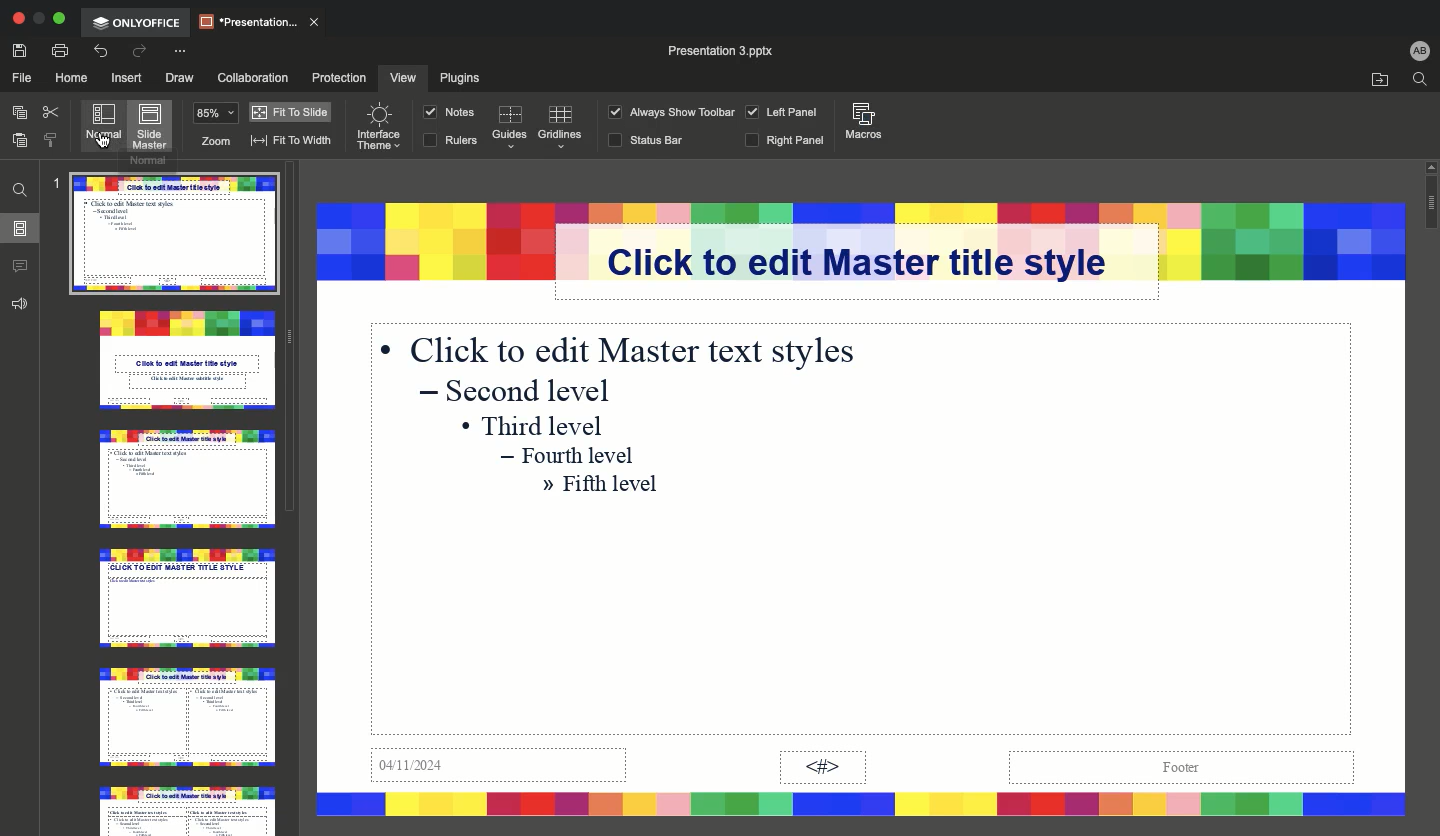  Describe the element at coordinates (562, 128) in the screenshot. I see `Guidelines` at that location.